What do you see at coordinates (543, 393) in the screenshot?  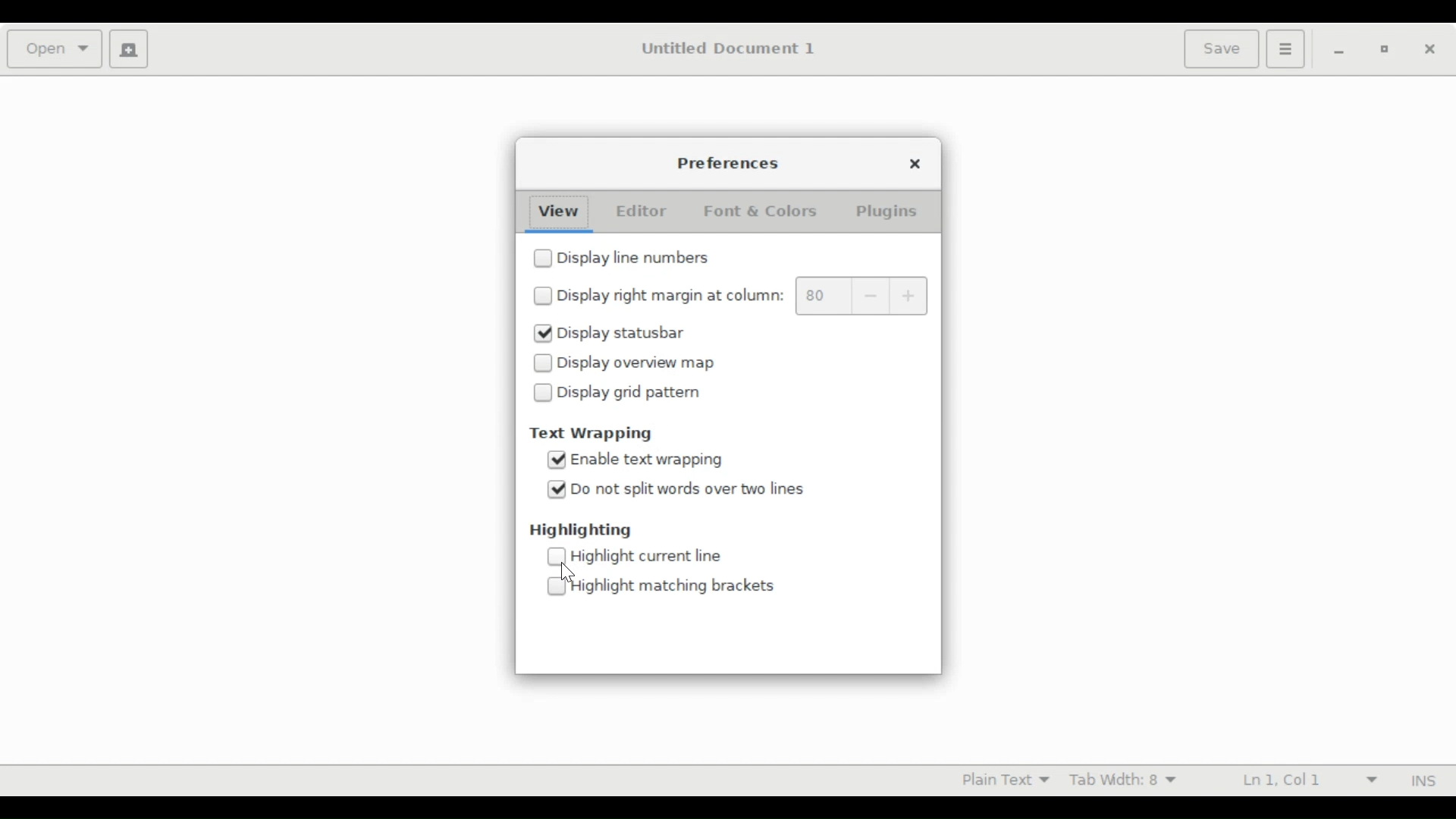 I see `checkbox` at bounding box center [543, 393].